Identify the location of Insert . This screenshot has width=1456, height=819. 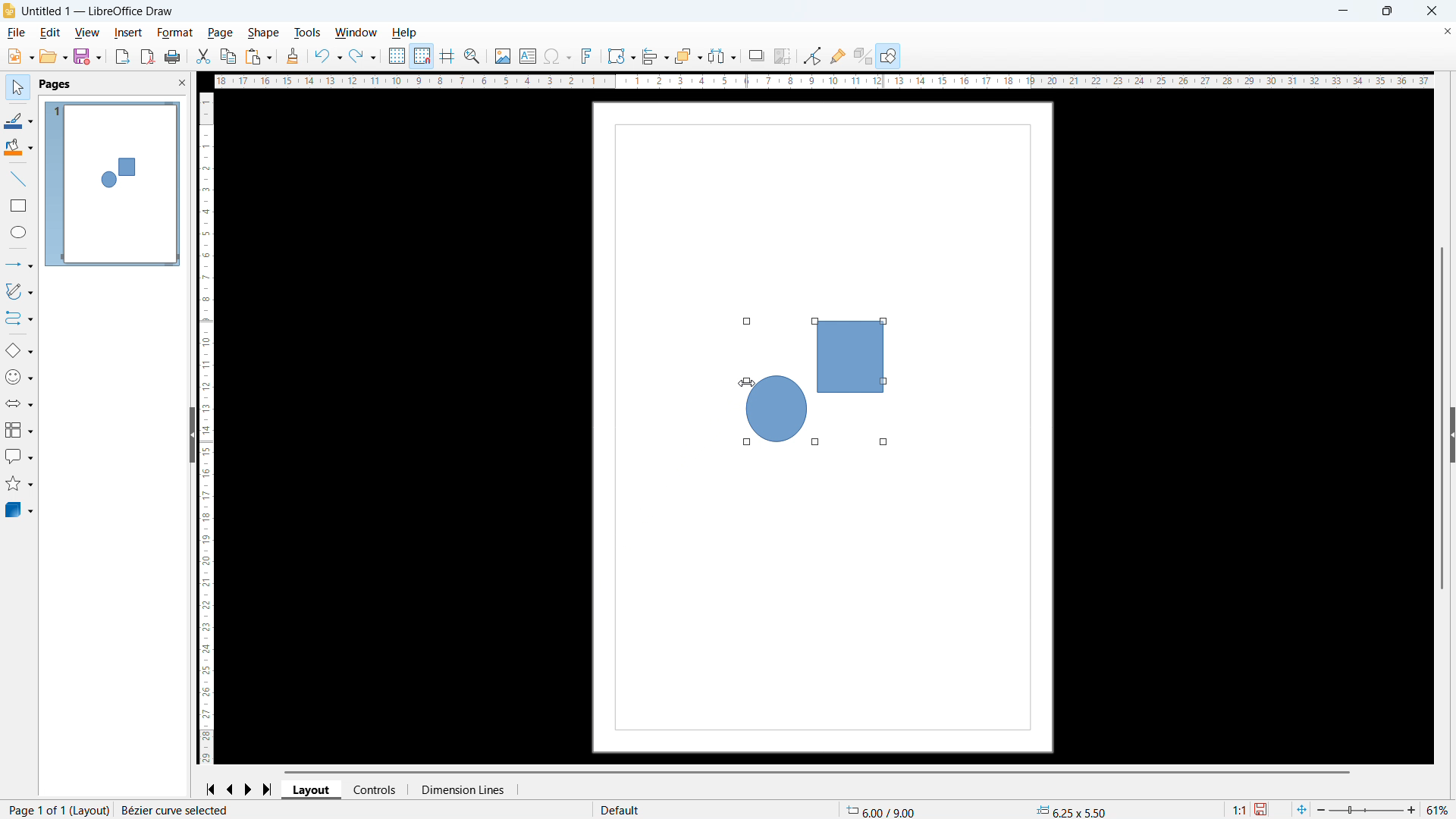
(129, 33).